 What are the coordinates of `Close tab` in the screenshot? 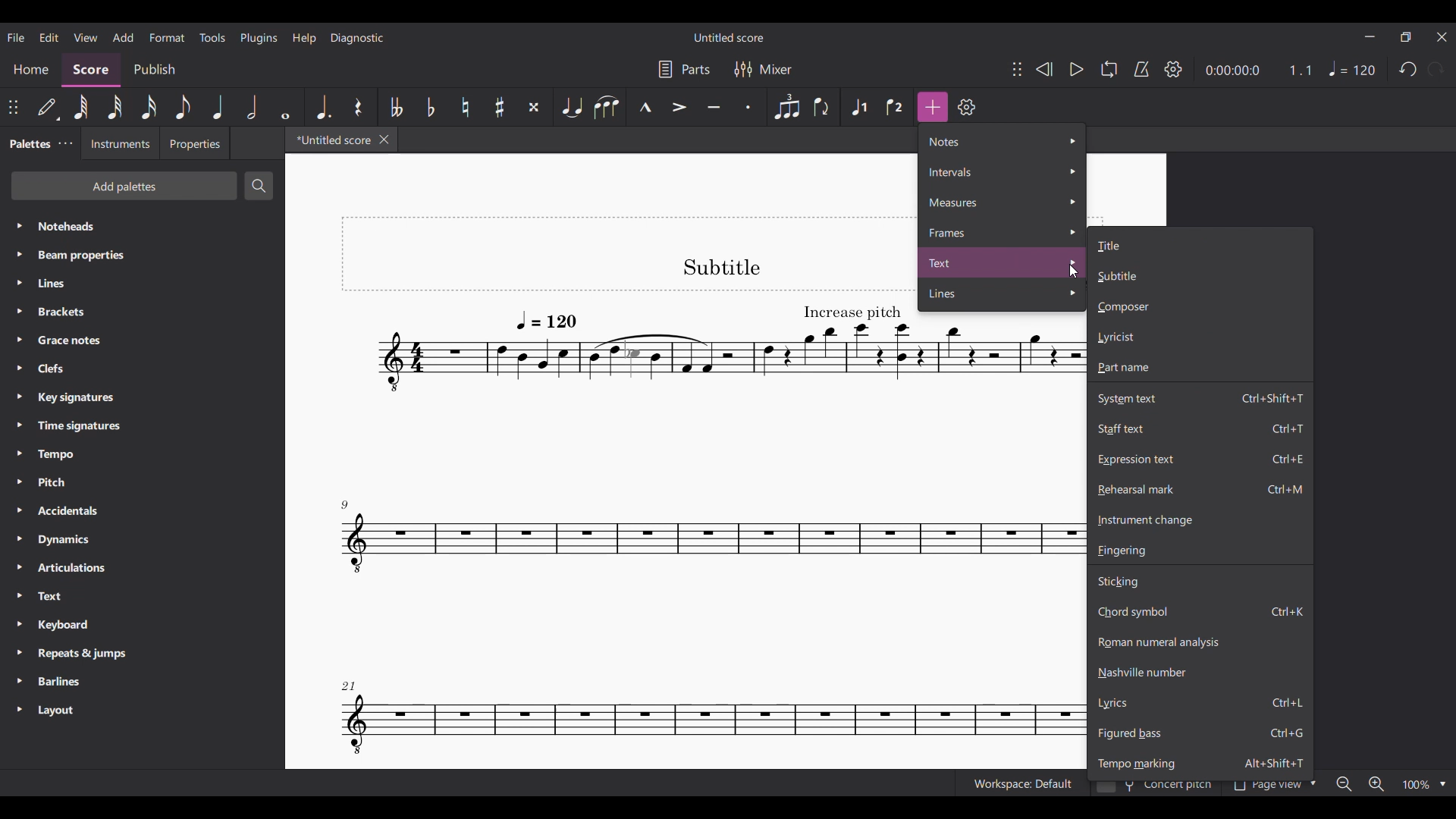 It's located at (384, 139).